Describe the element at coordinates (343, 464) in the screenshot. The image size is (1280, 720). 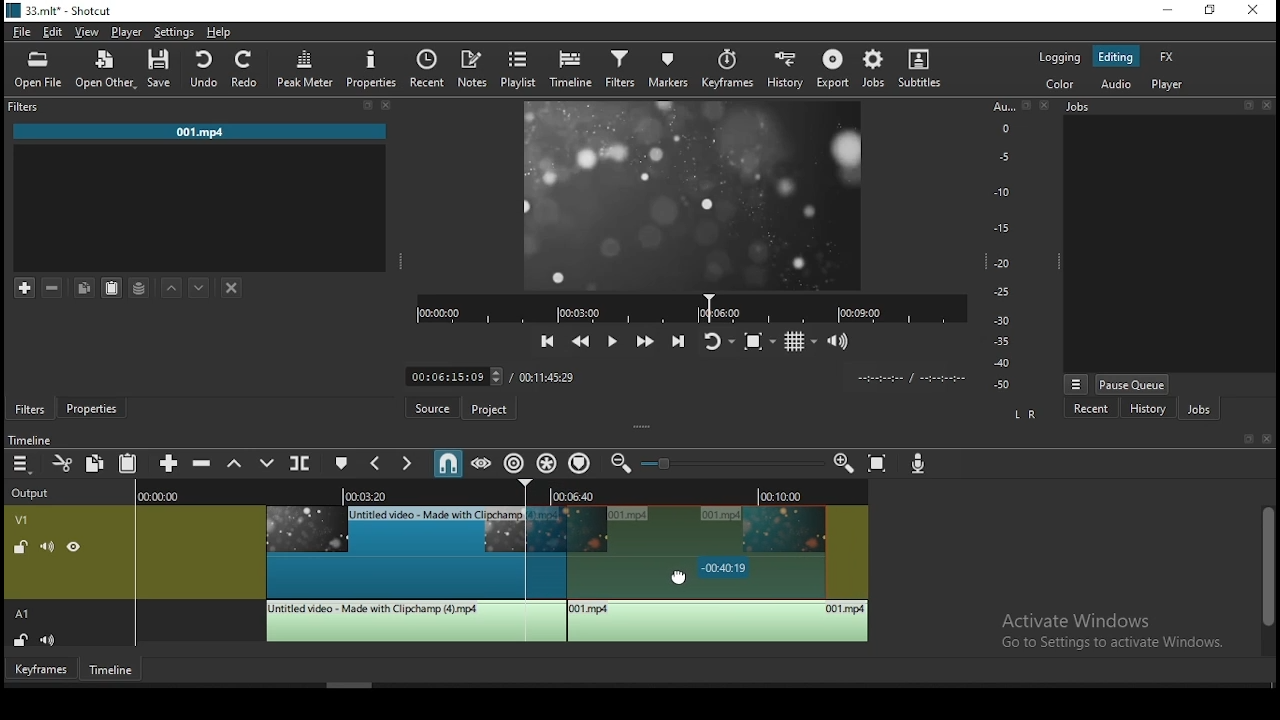
I see `create/edit marker` at that location.